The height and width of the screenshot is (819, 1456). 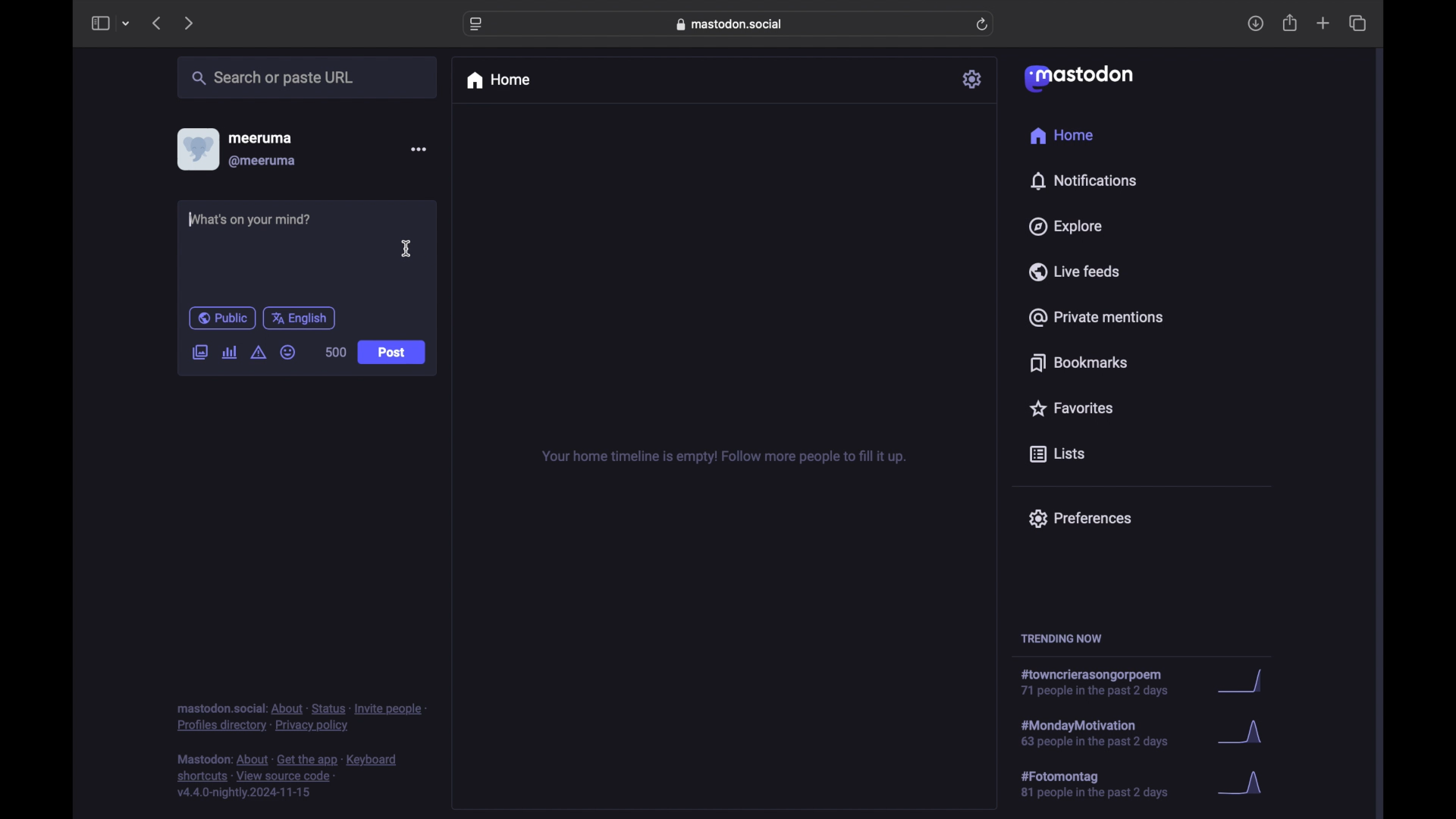 What do you see at coordinates (982, 24) in the screenshot?
I see `refresh` at bounding box center [982, 24].